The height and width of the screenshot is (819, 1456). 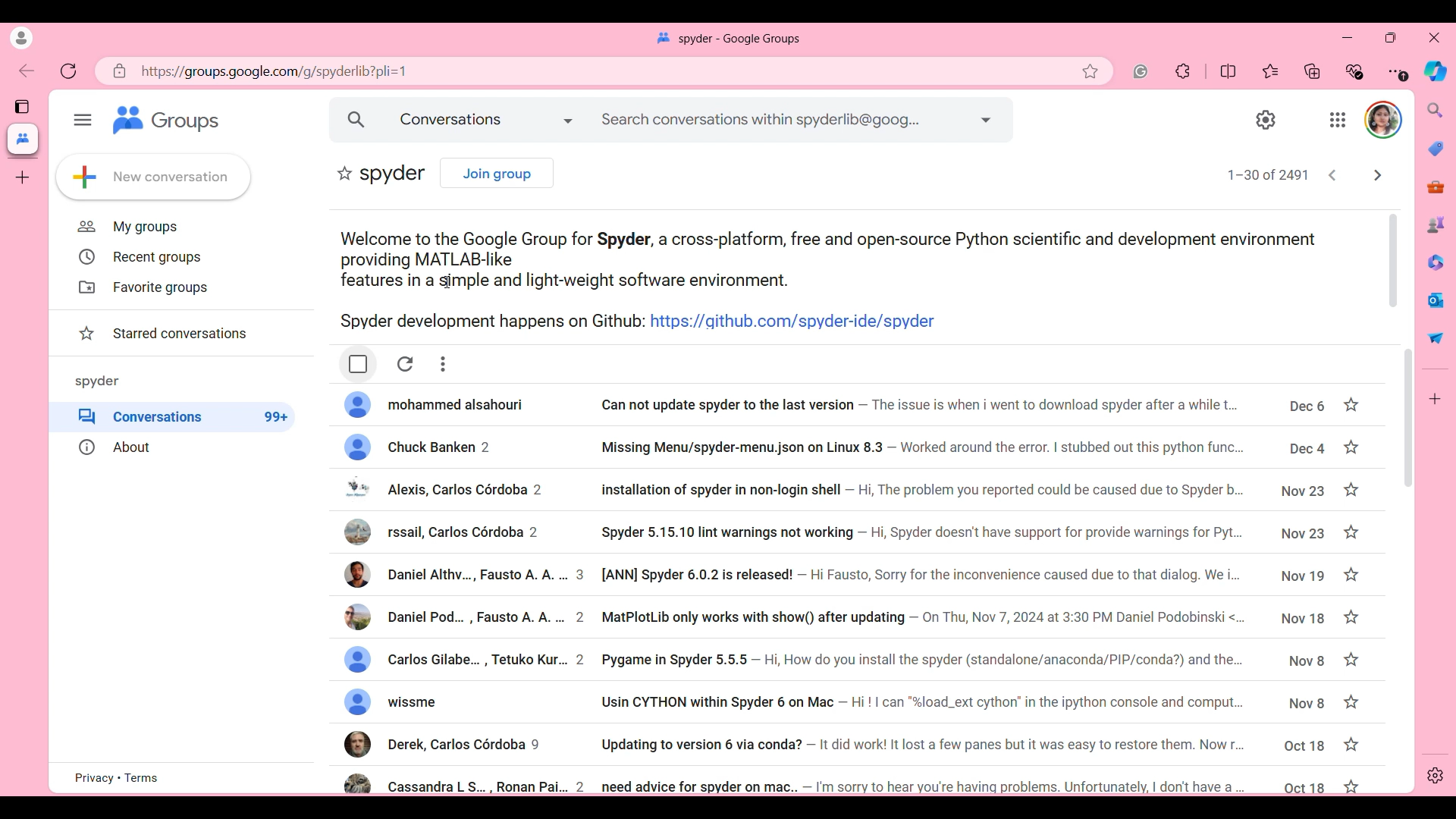 What do you see at coordinates (1435, 71) in the screenshot?
I see `Browser AI` at bounding box center [1435, 71].